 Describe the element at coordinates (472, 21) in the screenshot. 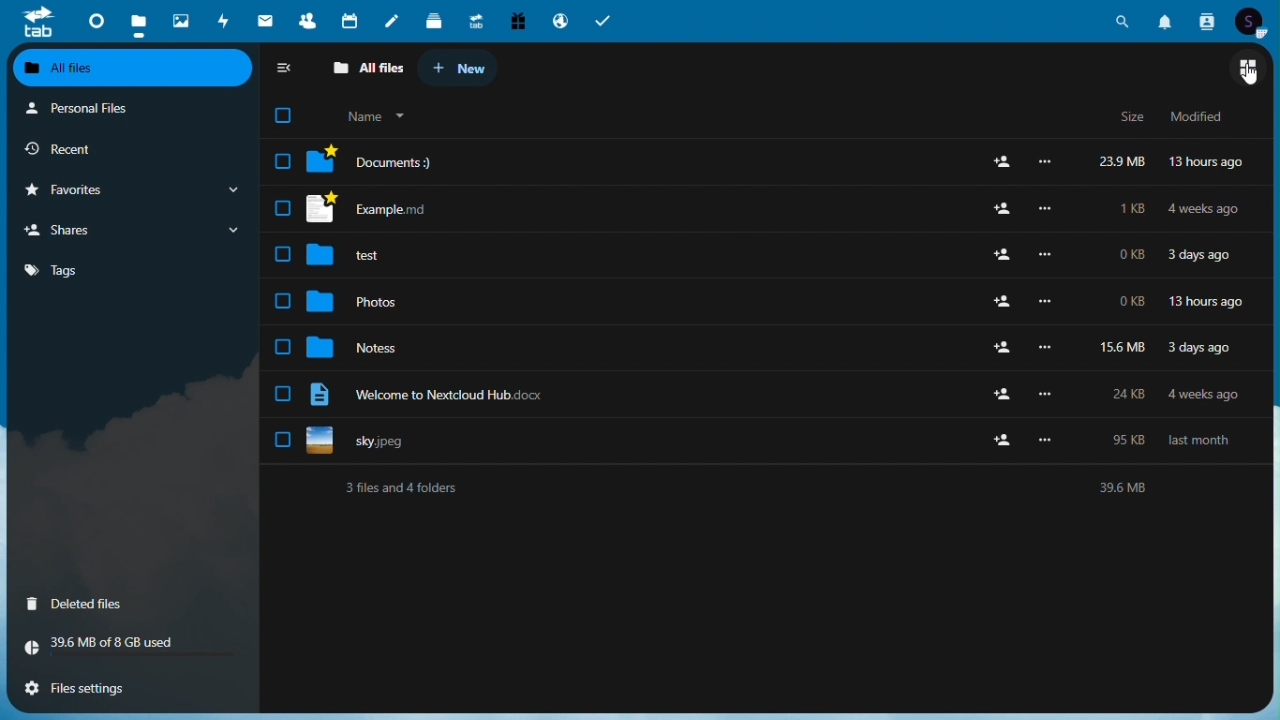

I see `upgrade` at that location.